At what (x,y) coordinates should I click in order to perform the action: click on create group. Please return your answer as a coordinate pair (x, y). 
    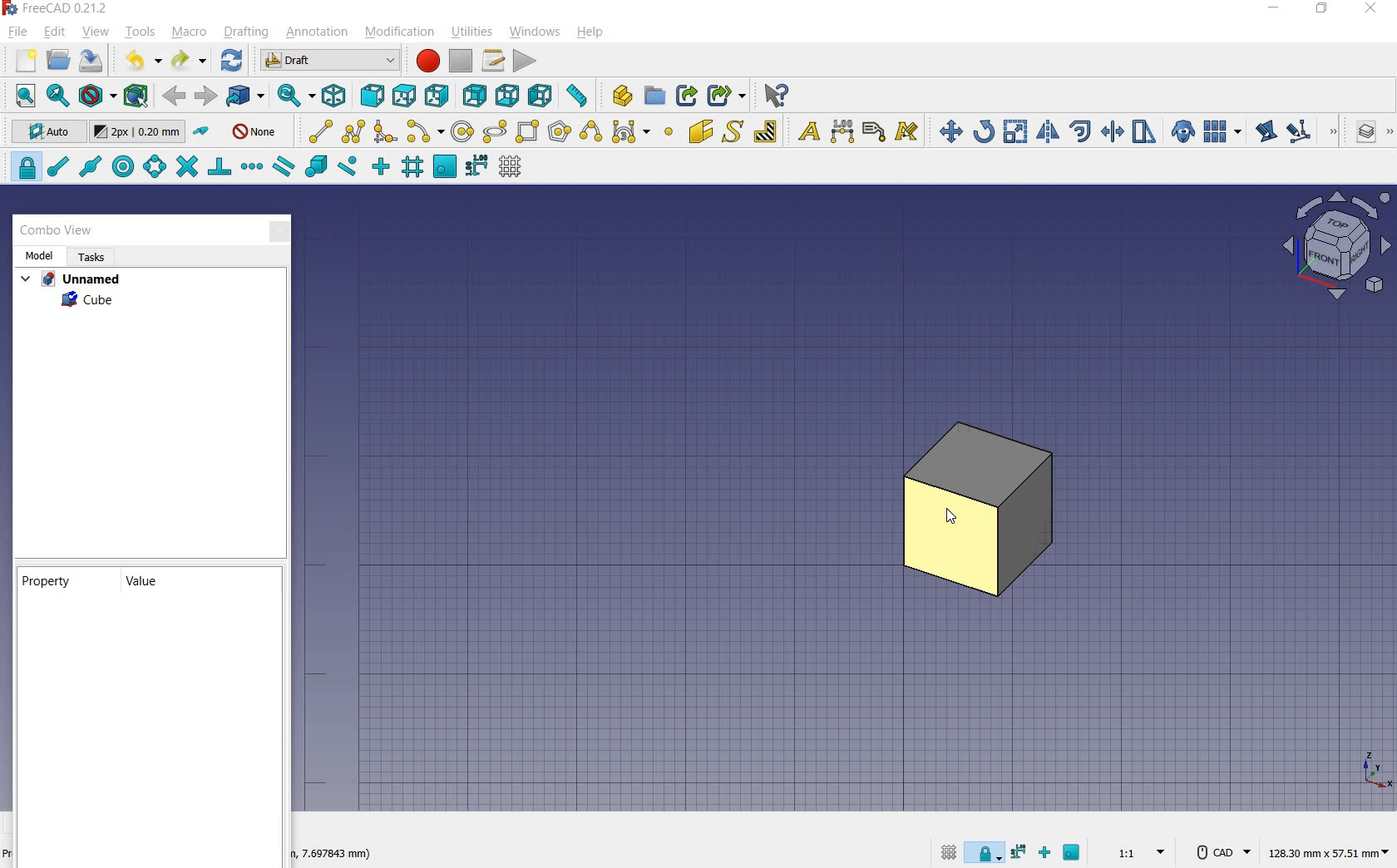
    Looking at the image, I should click on (654, 96).